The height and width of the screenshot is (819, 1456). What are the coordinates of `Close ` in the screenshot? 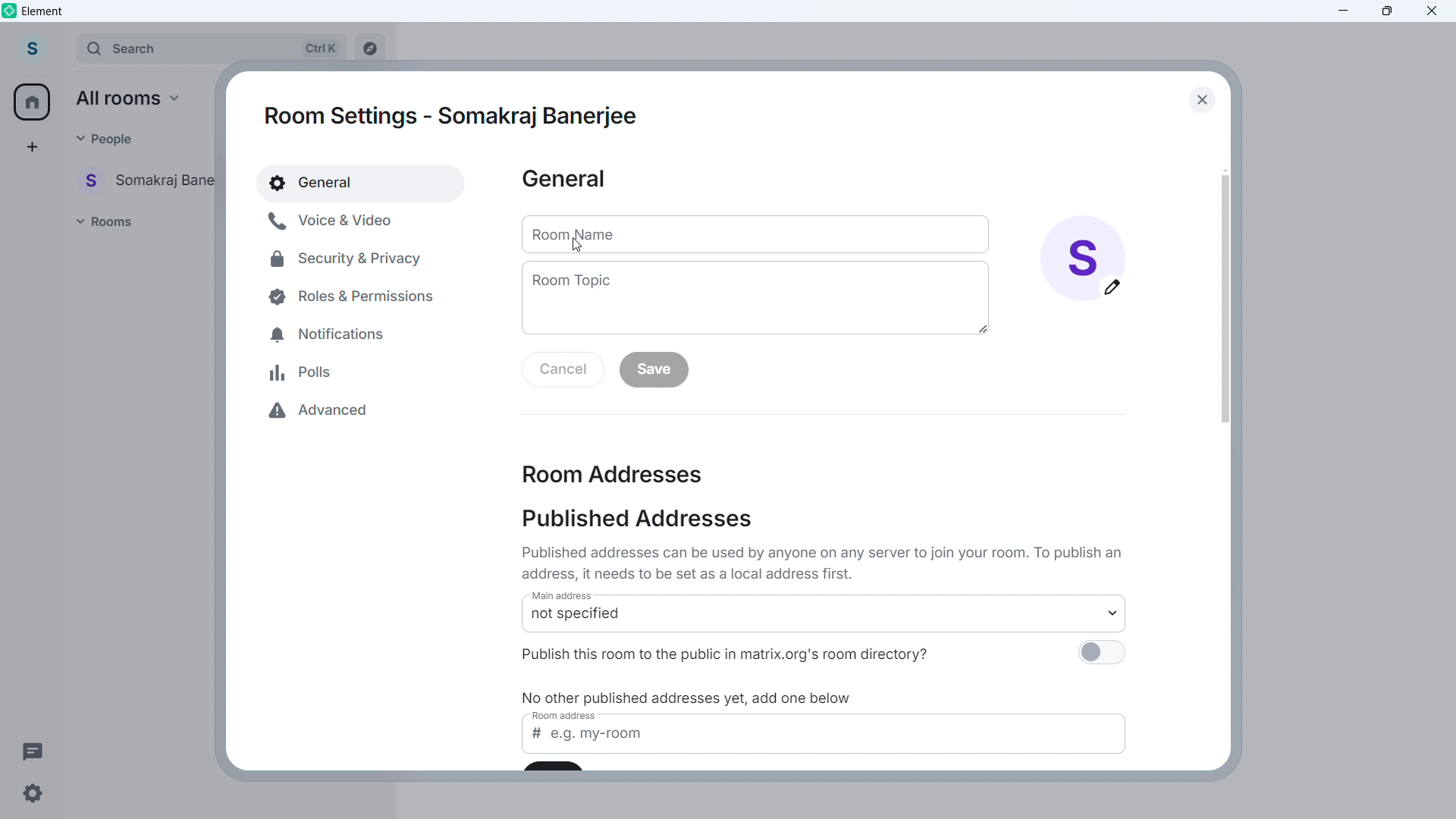 It's located at (1432, 12).